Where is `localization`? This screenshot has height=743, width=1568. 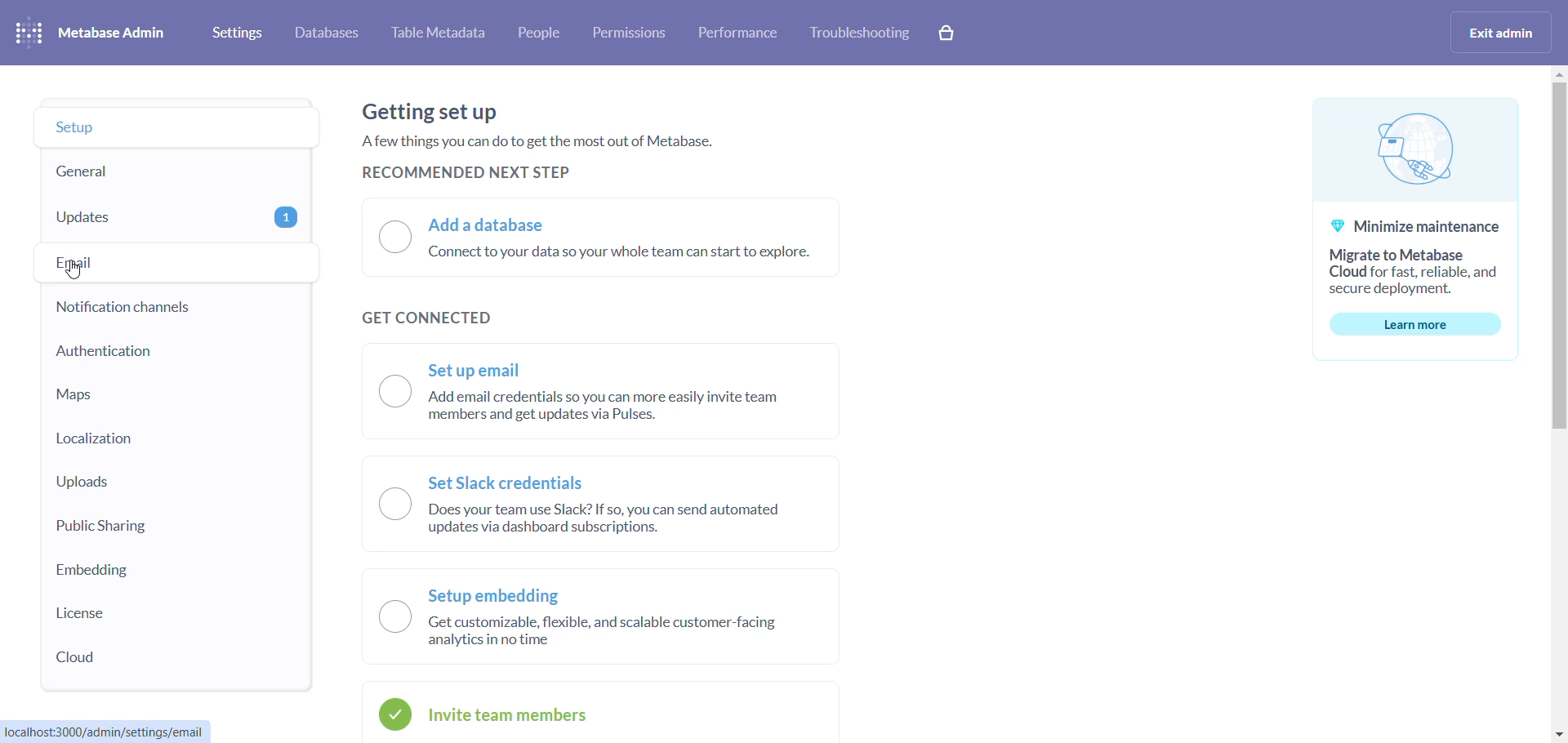
localization is located at coordinates (145, 438).